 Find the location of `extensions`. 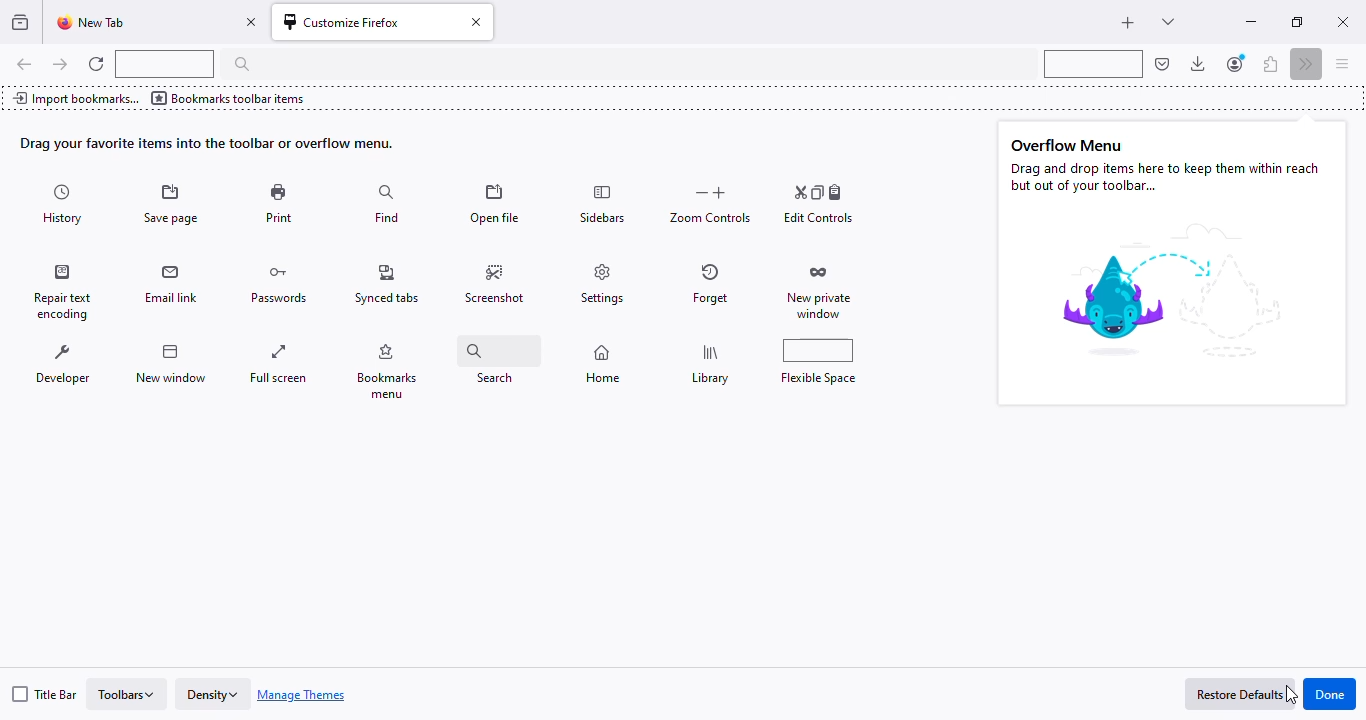

extensions is located at coordinates (1270, 64).